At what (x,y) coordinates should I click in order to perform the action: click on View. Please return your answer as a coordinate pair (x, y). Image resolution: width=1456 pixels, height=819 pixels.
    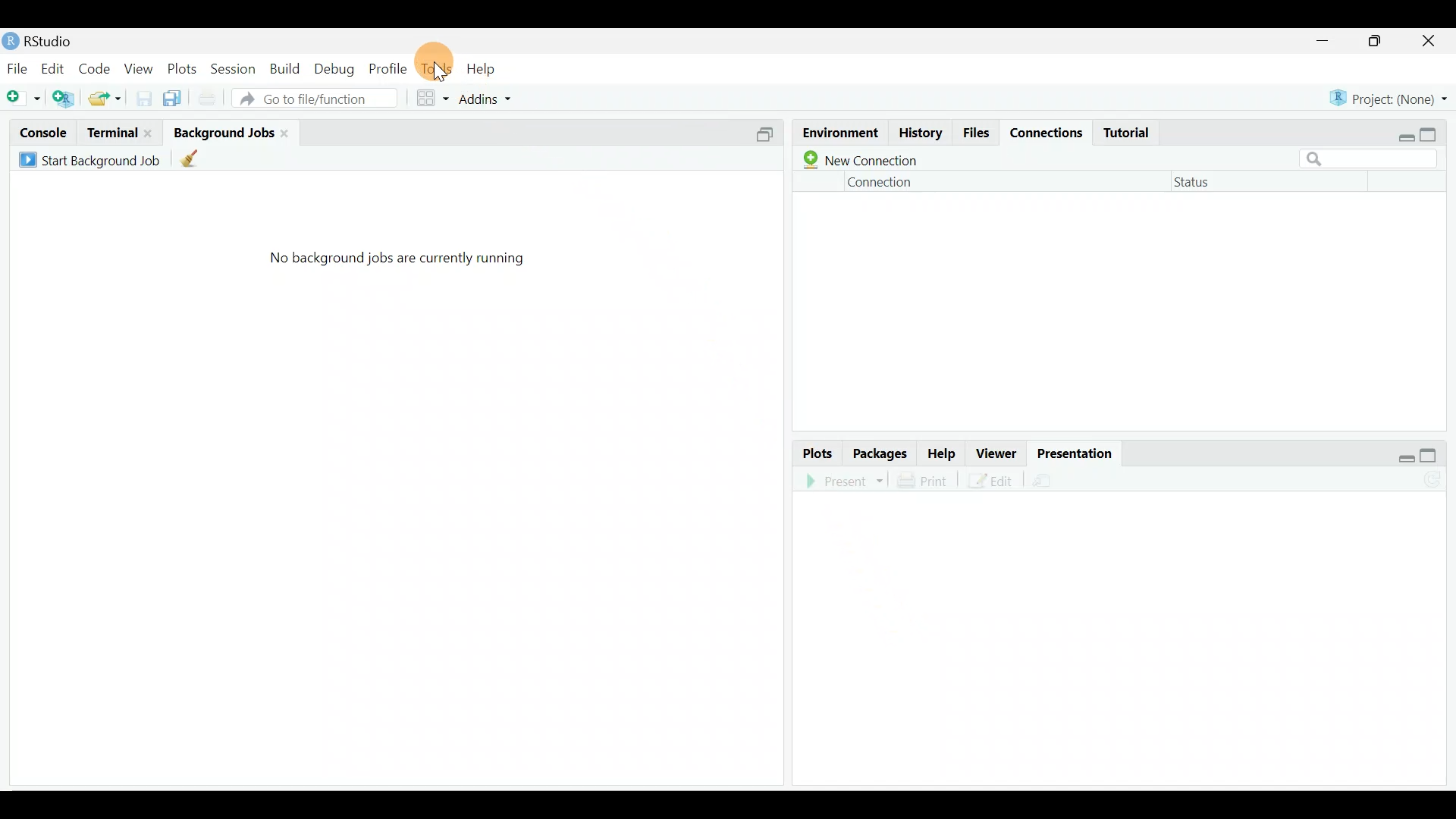
    Looking at the image, I should click on (140, 70).